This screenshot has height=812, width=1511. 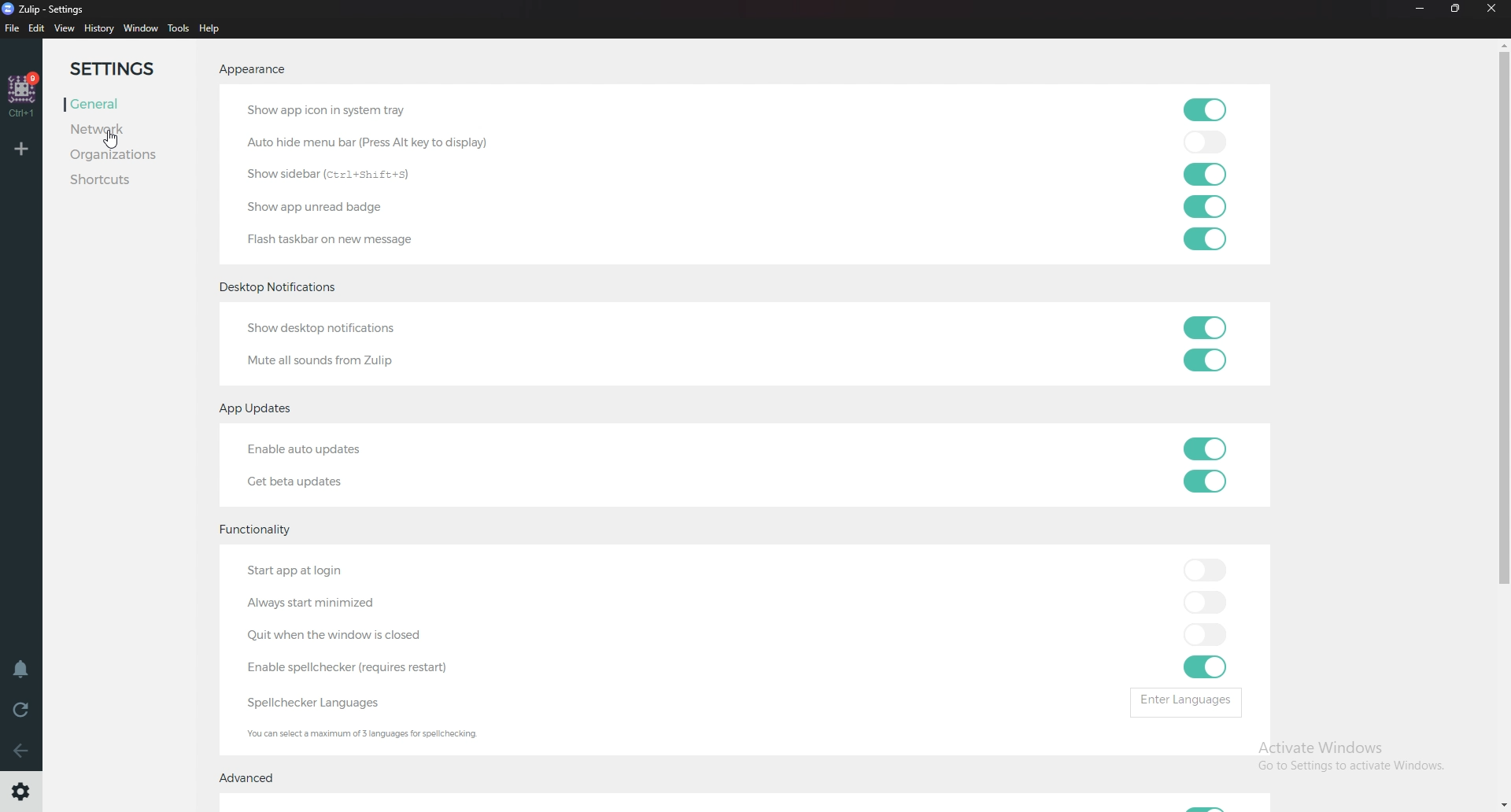 What do you see at coordinates (1206, 570) in the screenshot?
I see `toggle` at bounding box center [1206, 570].